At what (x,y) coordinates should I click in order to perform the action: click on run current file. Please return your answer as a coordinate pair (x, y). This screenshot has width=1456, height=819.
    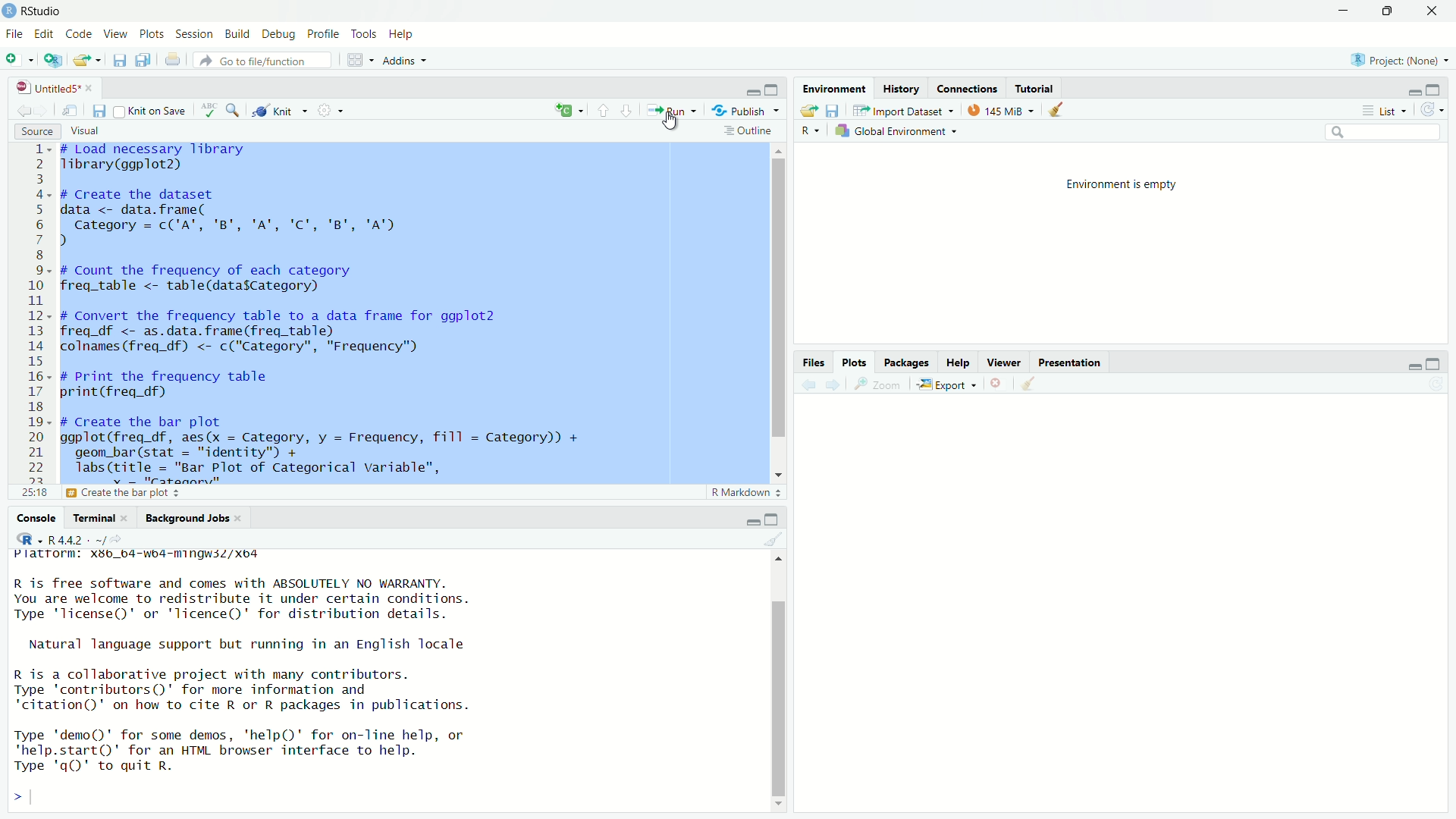
    Looking at the image, I should click on (670, 109).